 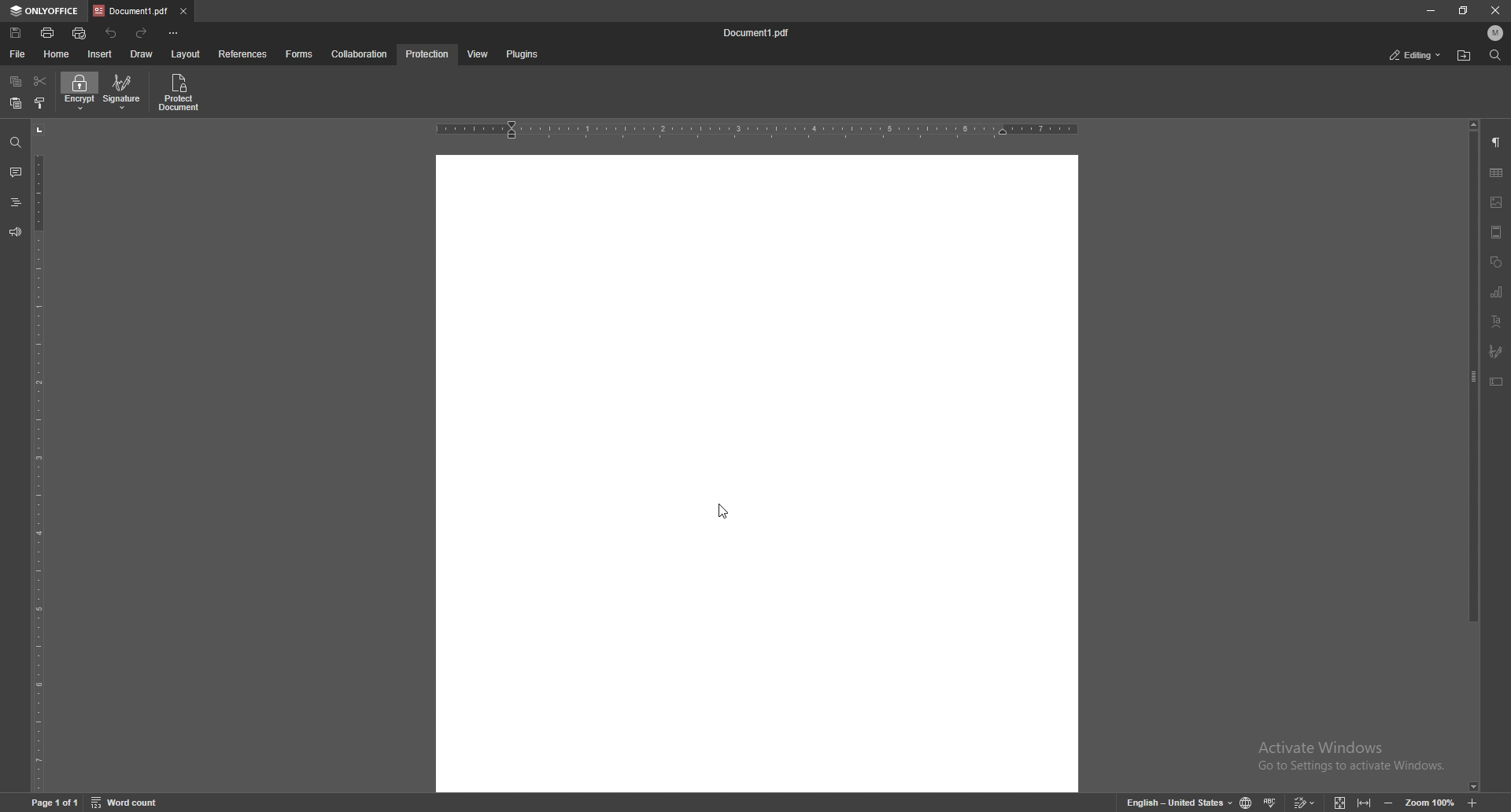 I want to click on comment, so click(x=16, y=172).